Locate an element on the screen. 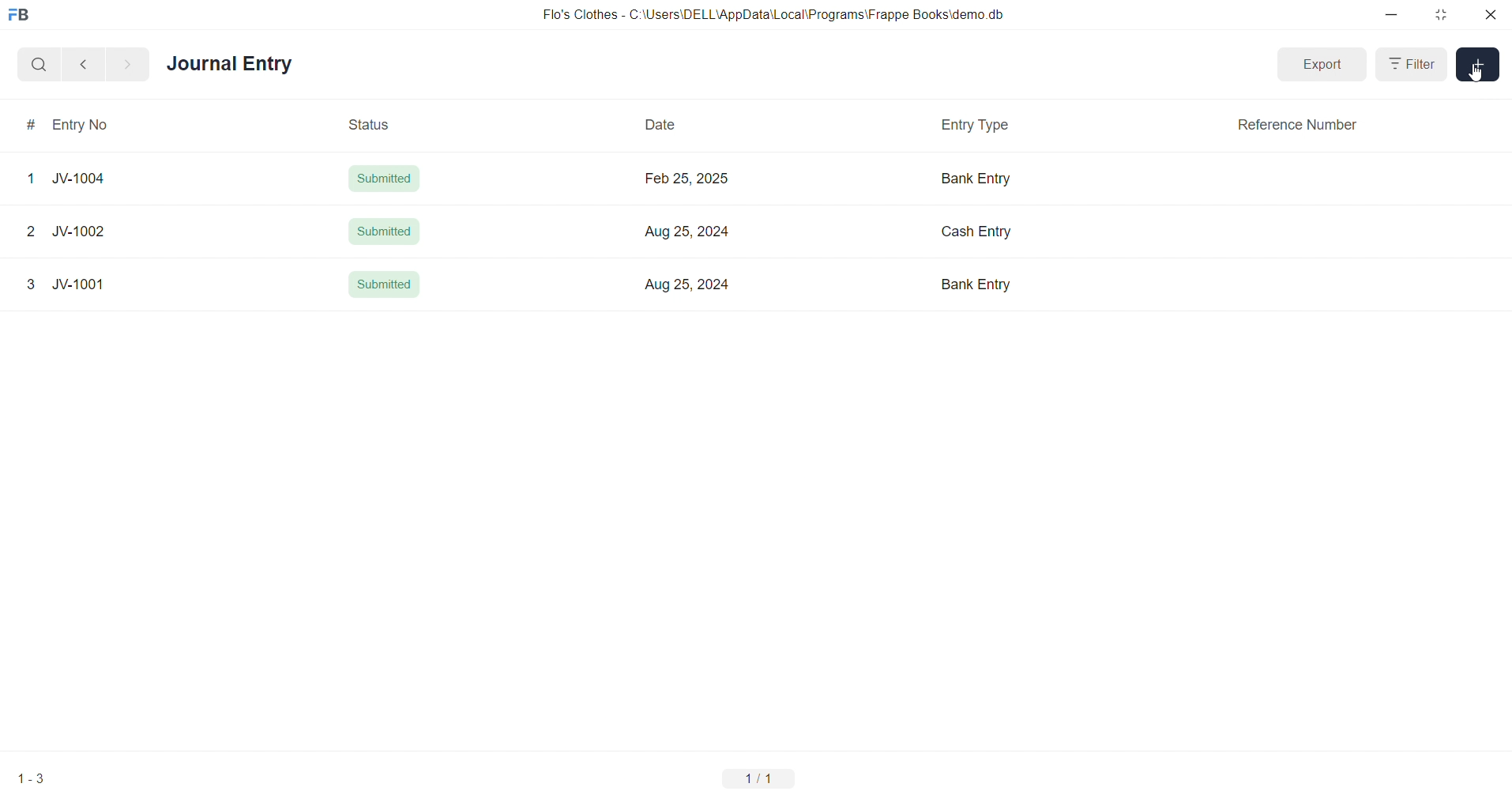 The height and width of the screenshot is (806, 1512). Bank Entry is located at coordinates (978, 285).